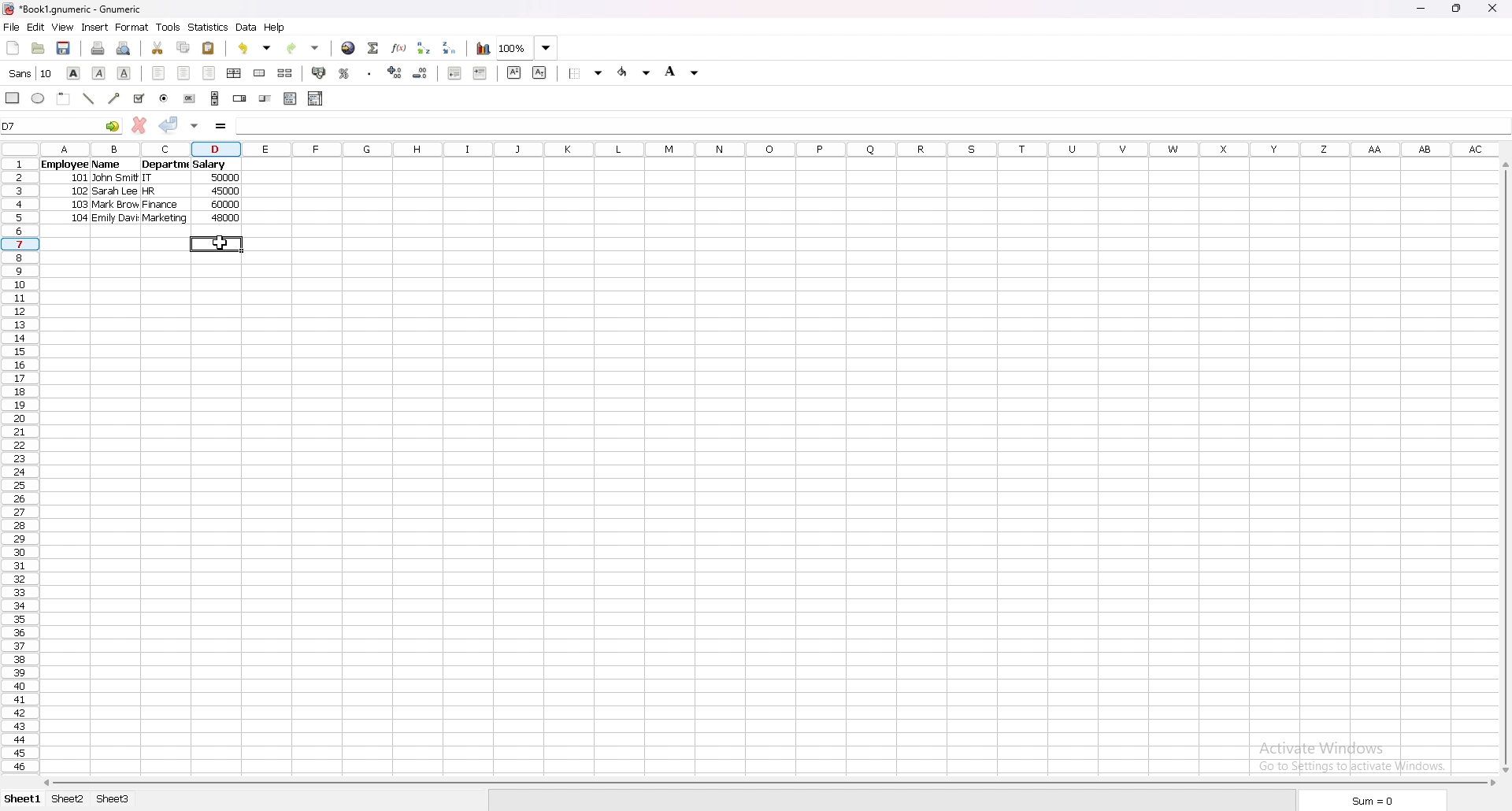  I want to click on sheet 3, so click(113, 800).